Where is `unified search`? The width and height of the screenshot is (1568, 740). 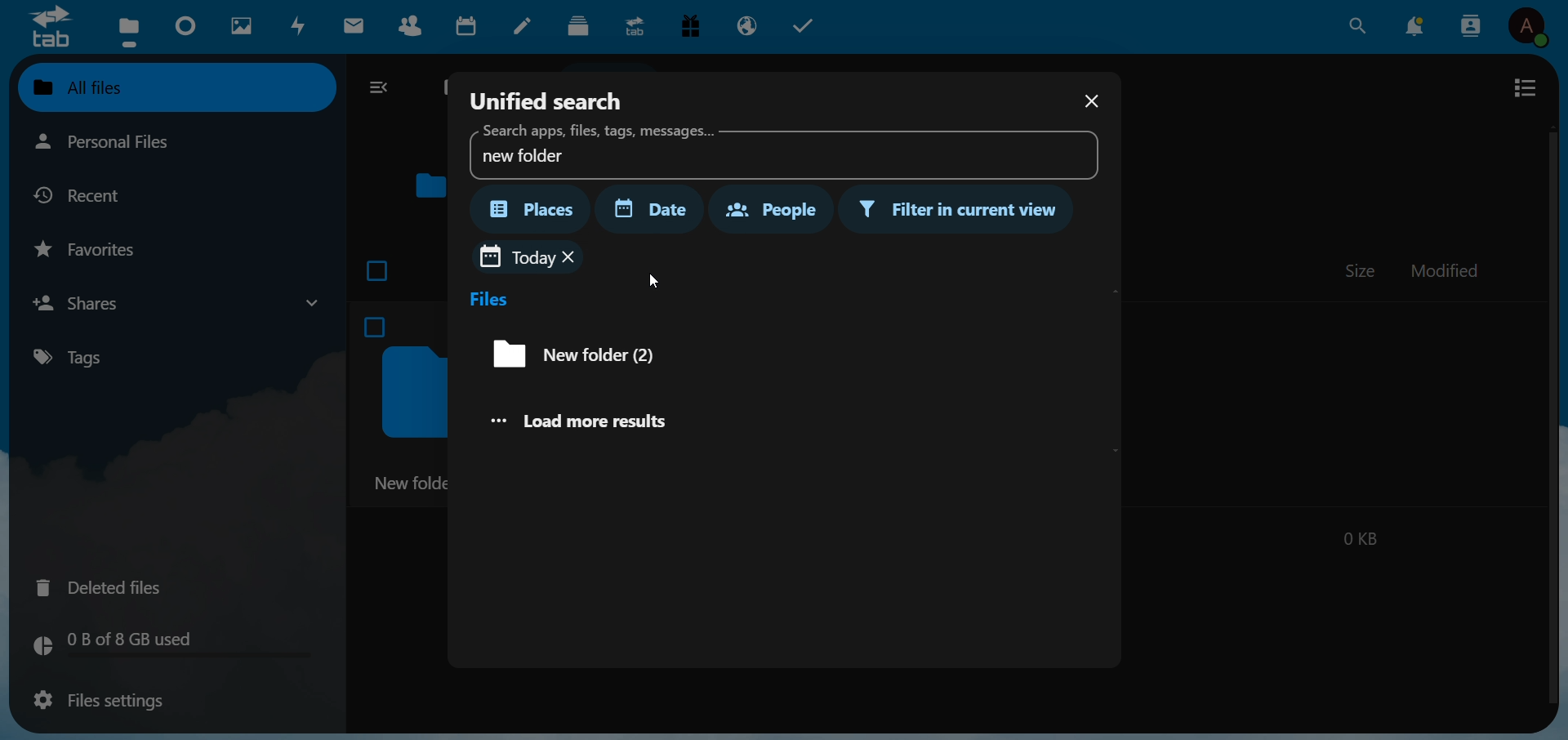
unified search is located at coordinates (548, 98).